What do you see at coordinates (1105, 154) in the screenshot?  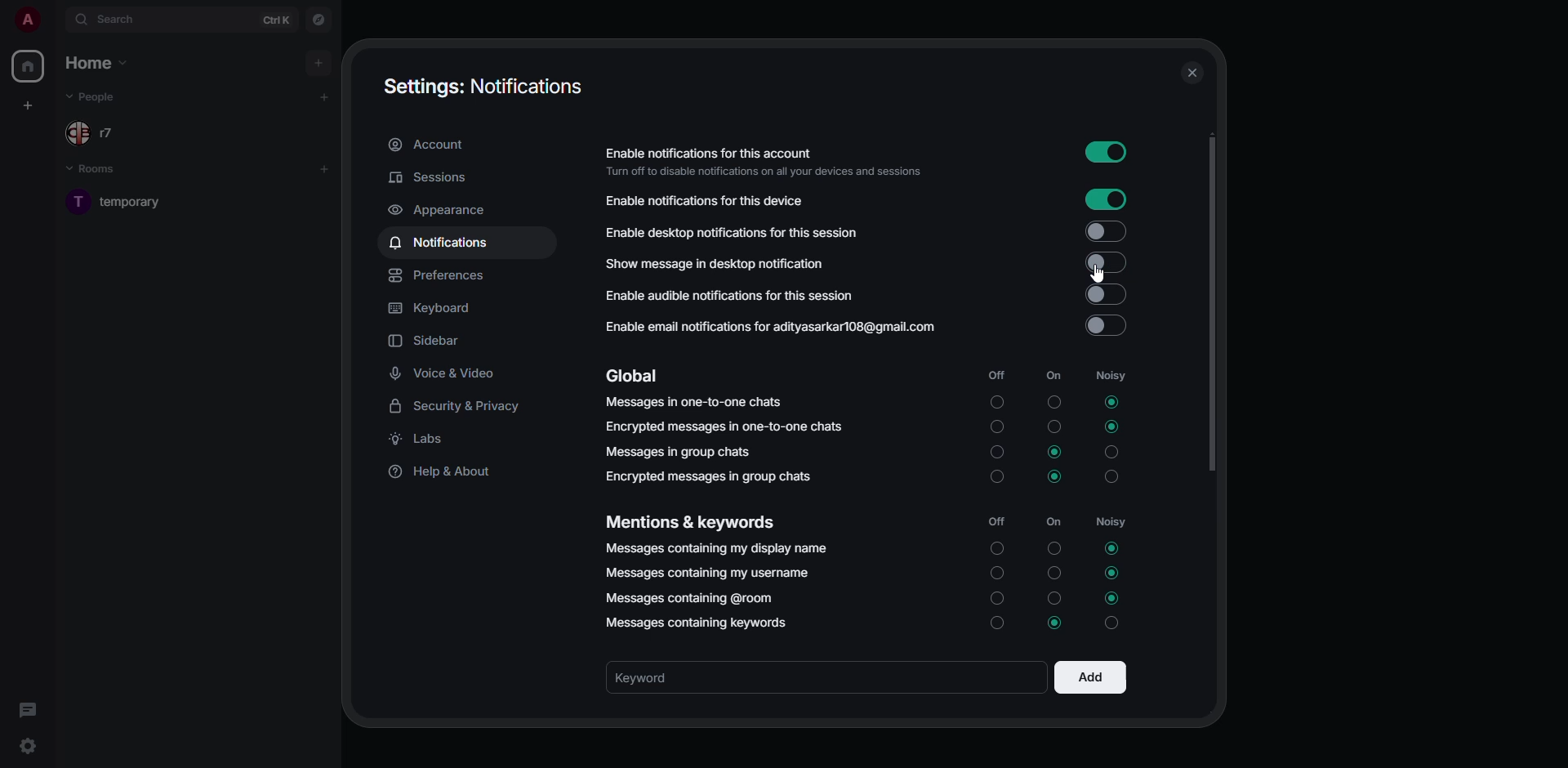 I see `enabled` at bounding box center [1105, 154].